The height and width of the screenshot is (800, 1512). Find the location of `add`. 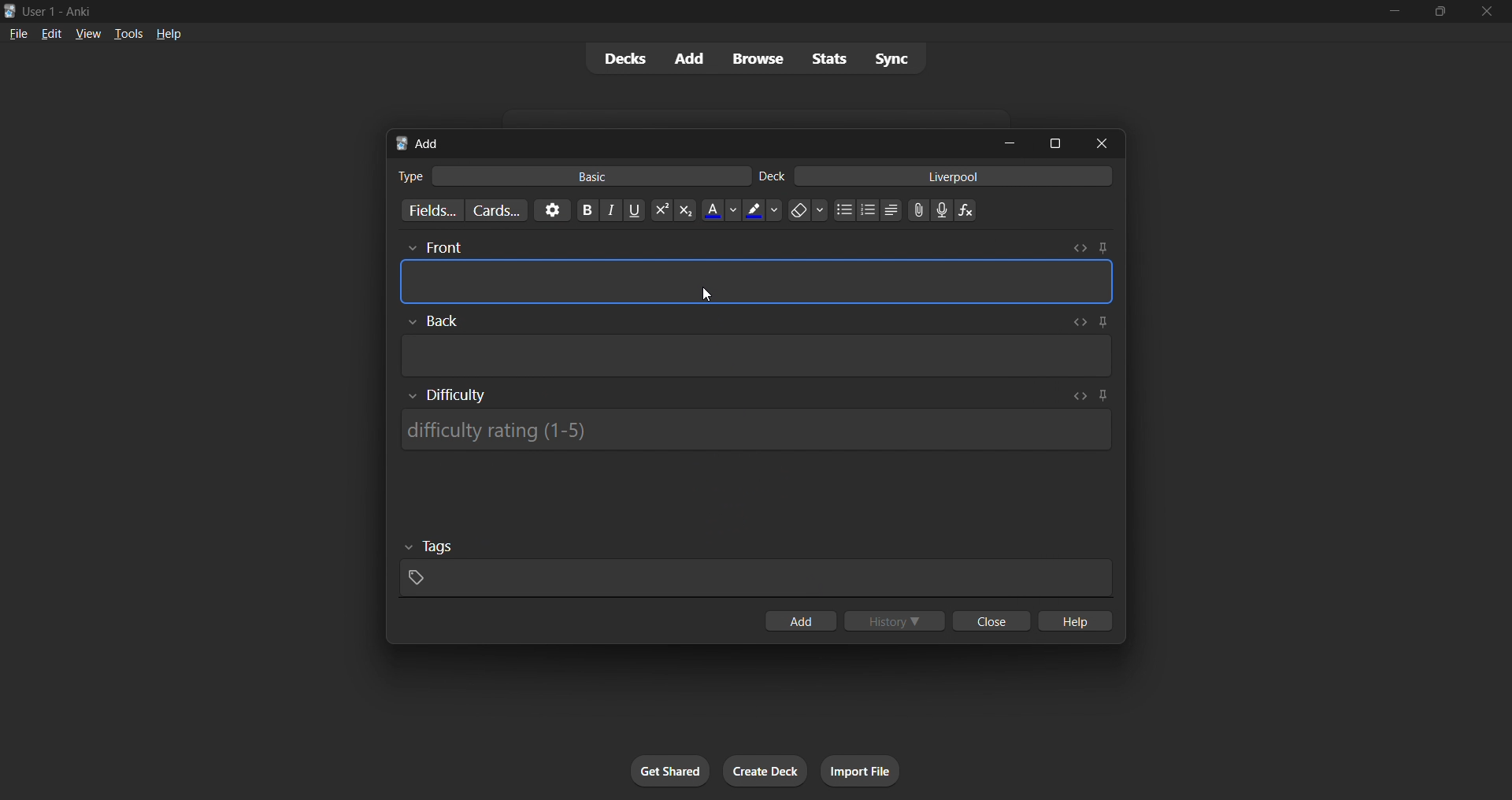

add is located at coordinates (691, 59).